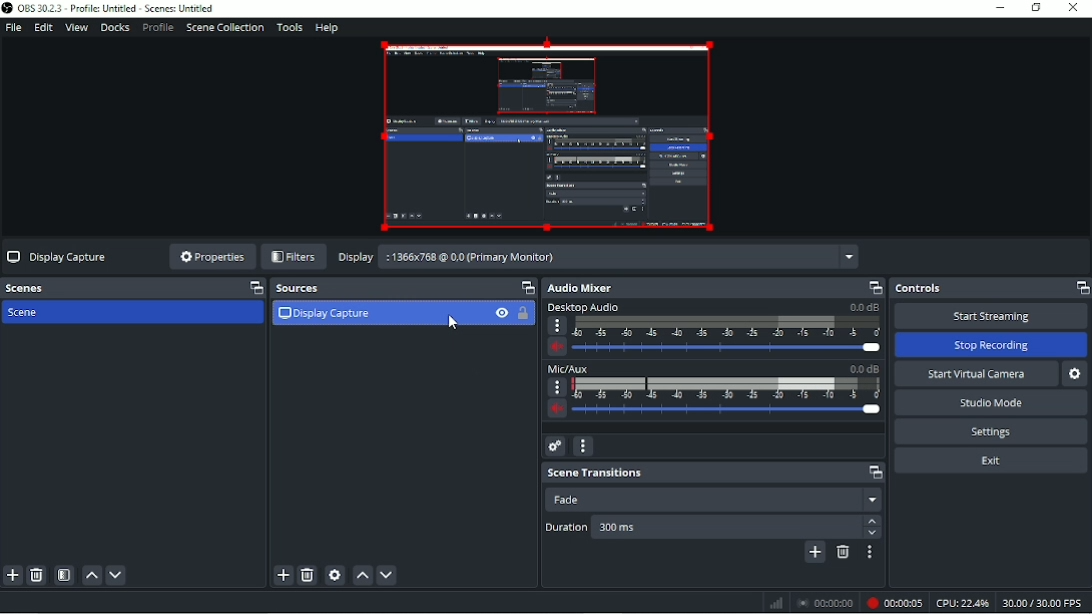  What do you see at coordinates (211, 256) in the screenshot?
I see `Properties` at bounding box center [211, 256].